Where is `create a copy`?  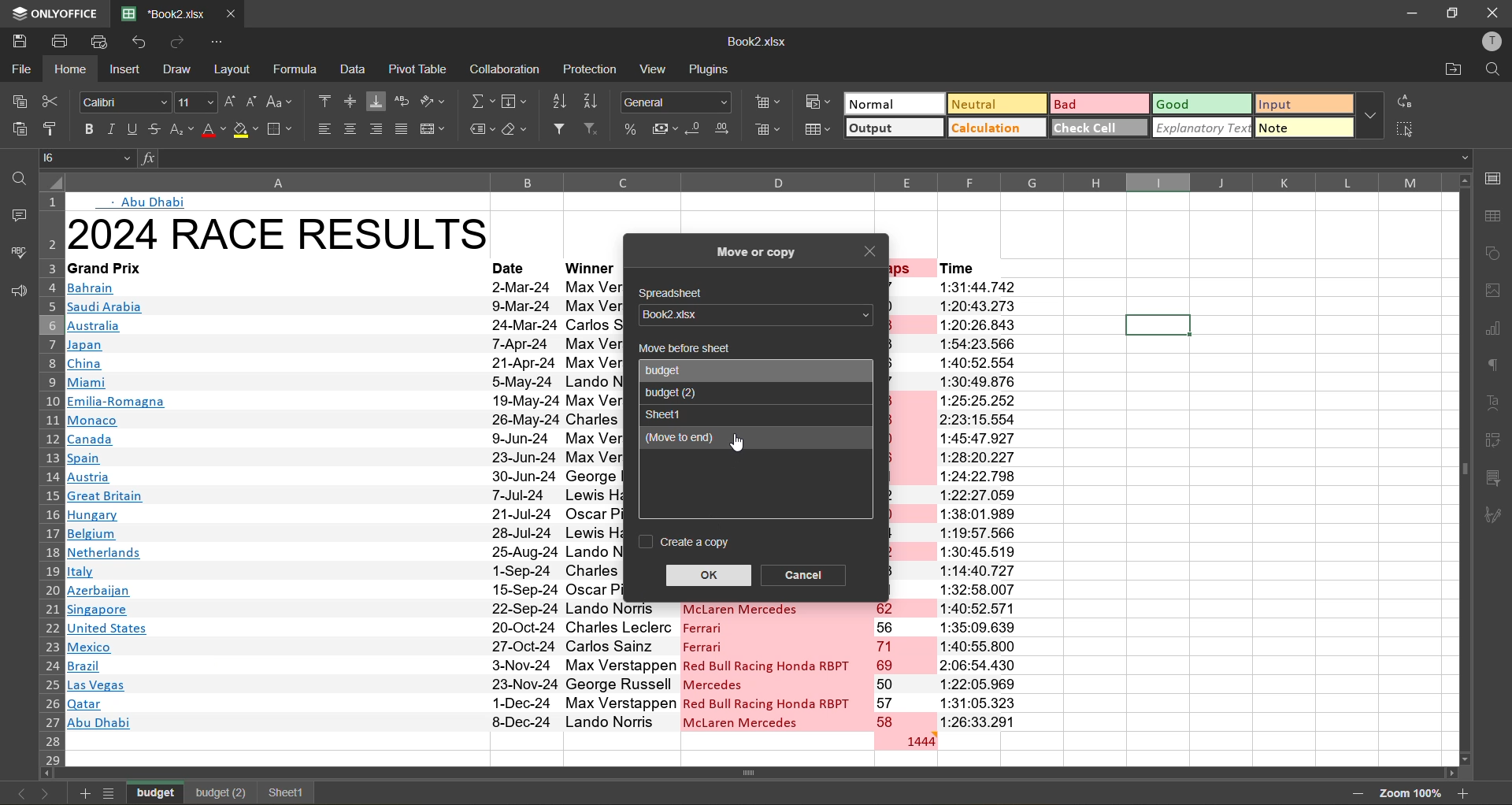
create a copy is located at coordinates (681, 542).